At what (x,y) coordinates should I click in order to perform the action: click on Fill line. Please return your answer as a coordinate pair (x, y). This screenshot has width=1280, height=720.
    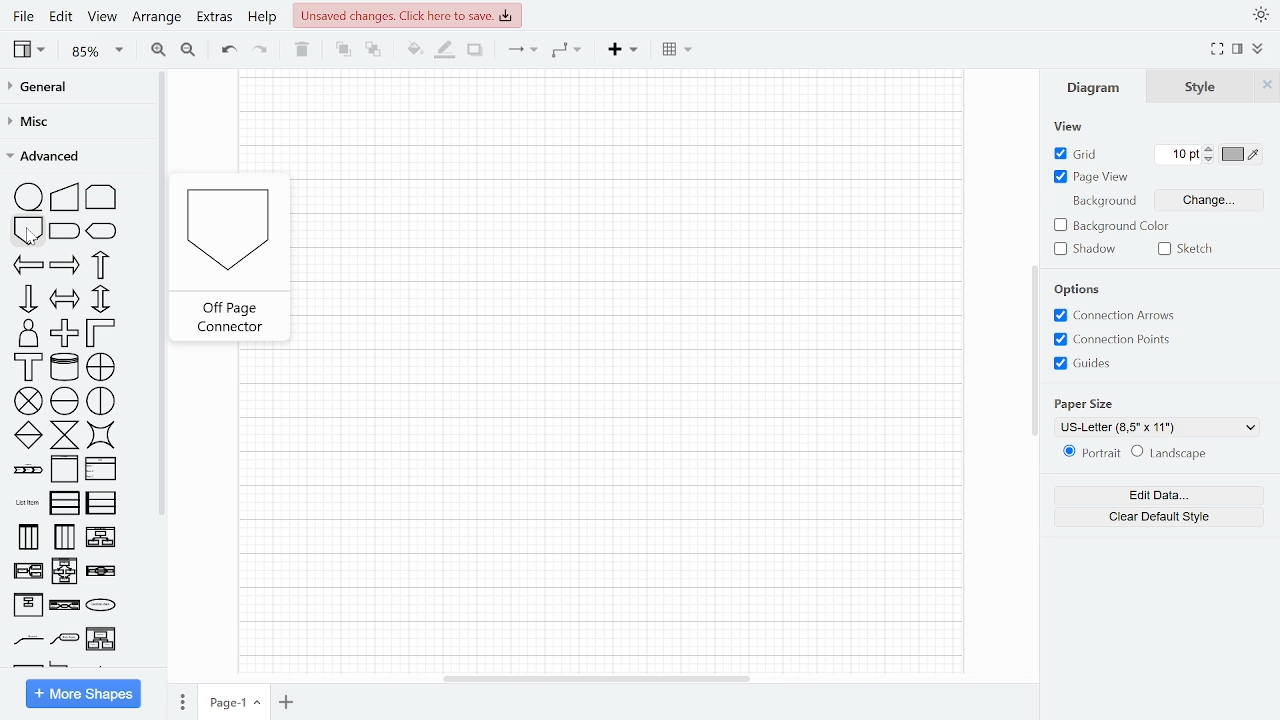
    Looking at the image, I should click on (444, 52).